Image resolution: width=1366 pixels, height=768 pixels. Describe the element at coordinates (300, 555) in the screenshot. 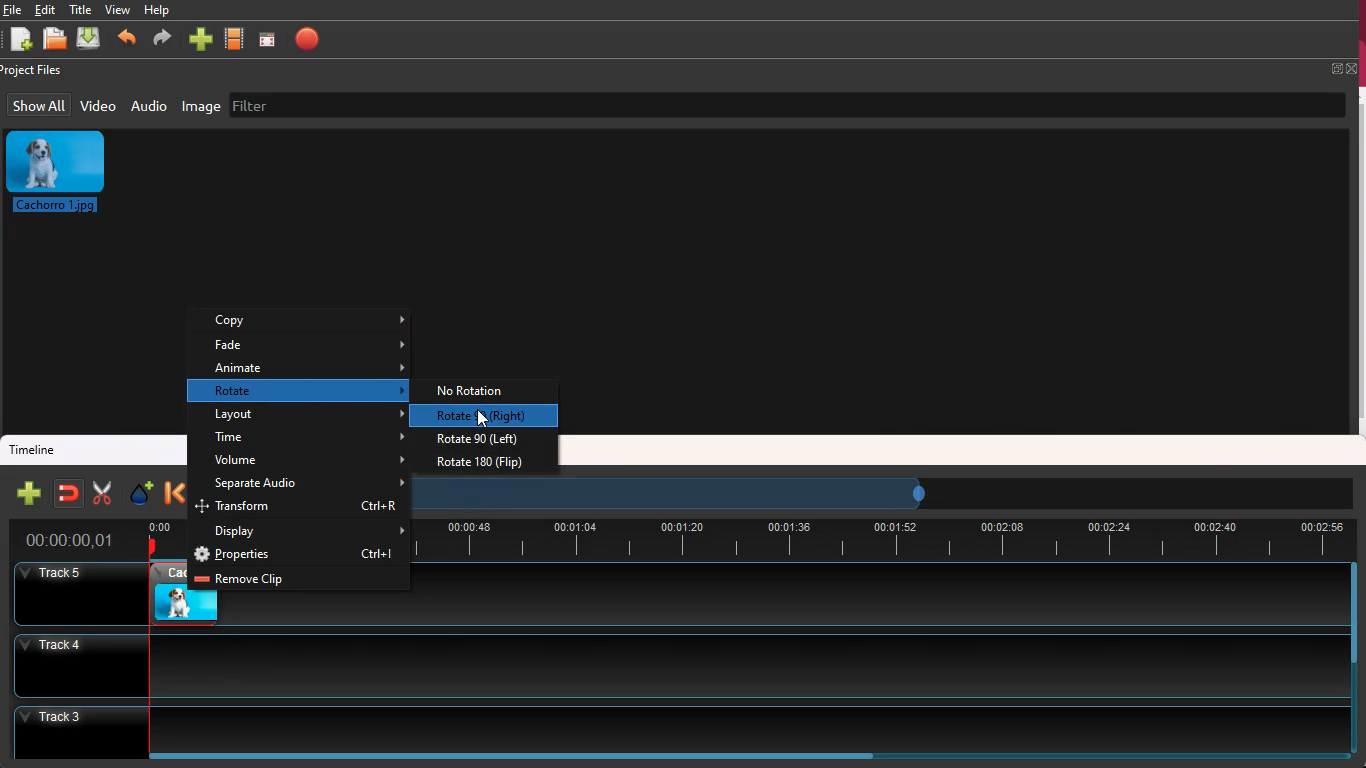

I see `properties` at that location.